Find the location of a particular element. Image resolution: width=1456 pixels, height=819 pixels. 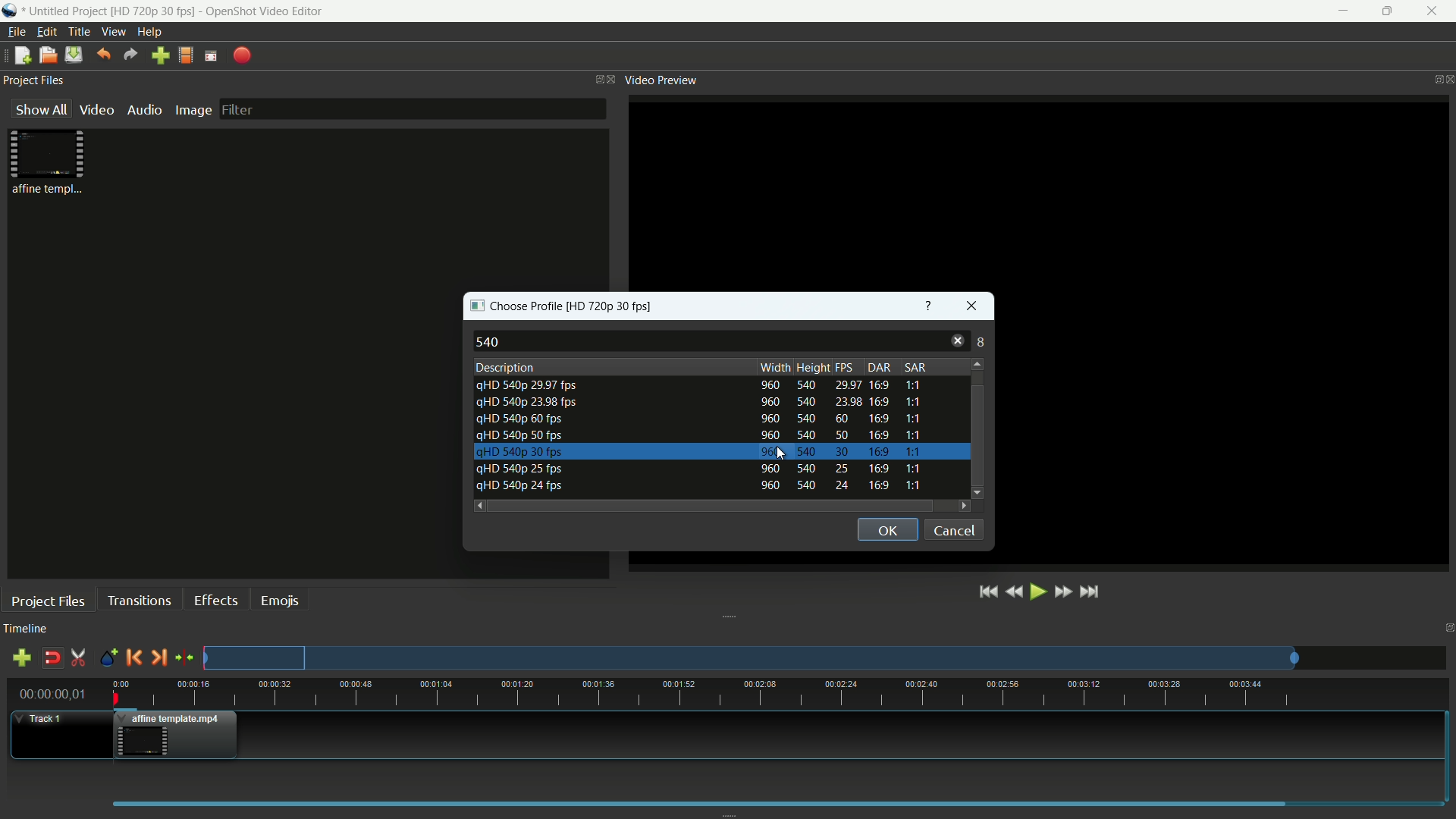

export is located at coordinates (241, 56).